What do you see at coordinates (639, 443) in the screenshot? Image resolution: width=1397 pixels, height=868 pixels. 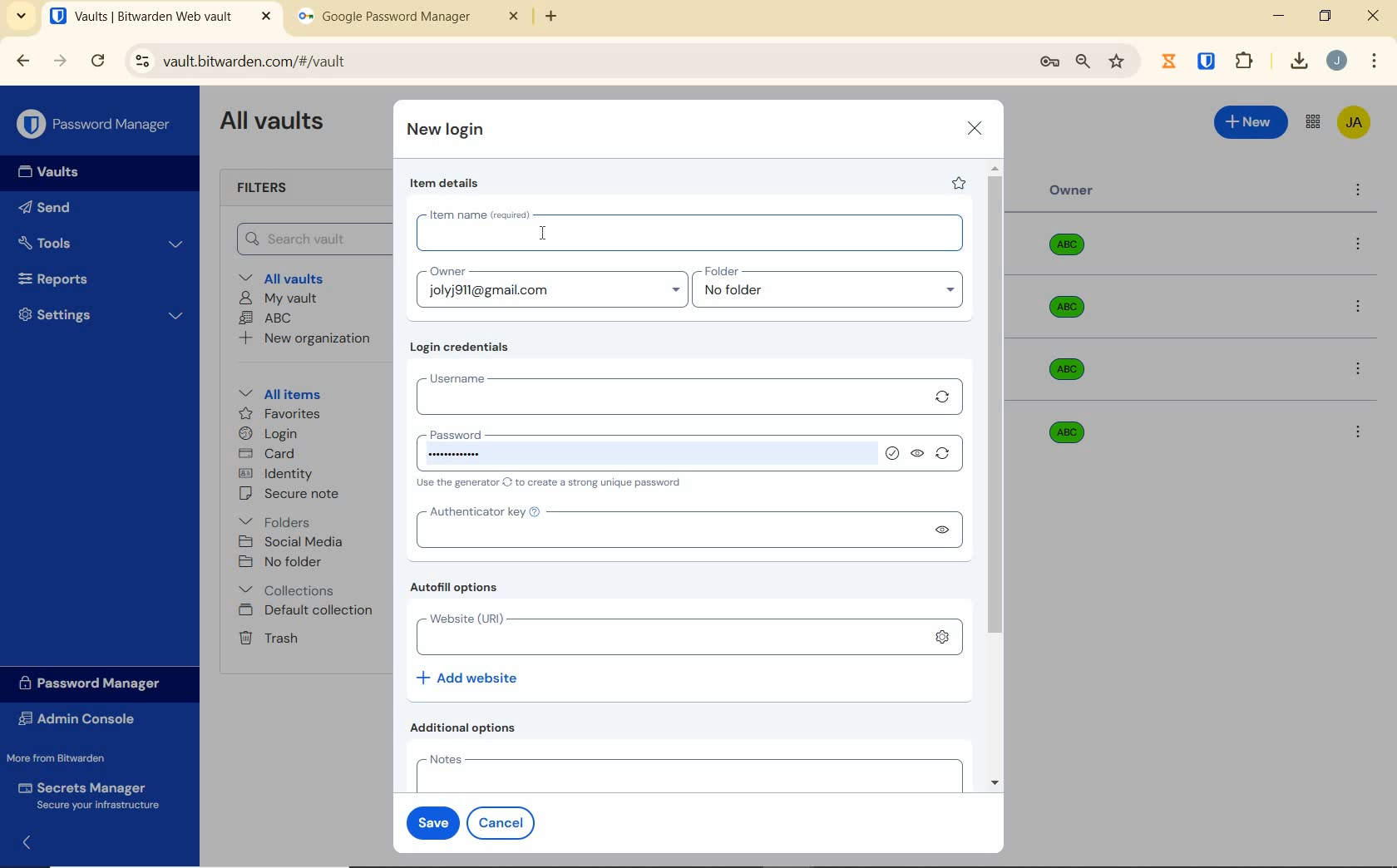 I see `password` at bounding box center [639, 443].